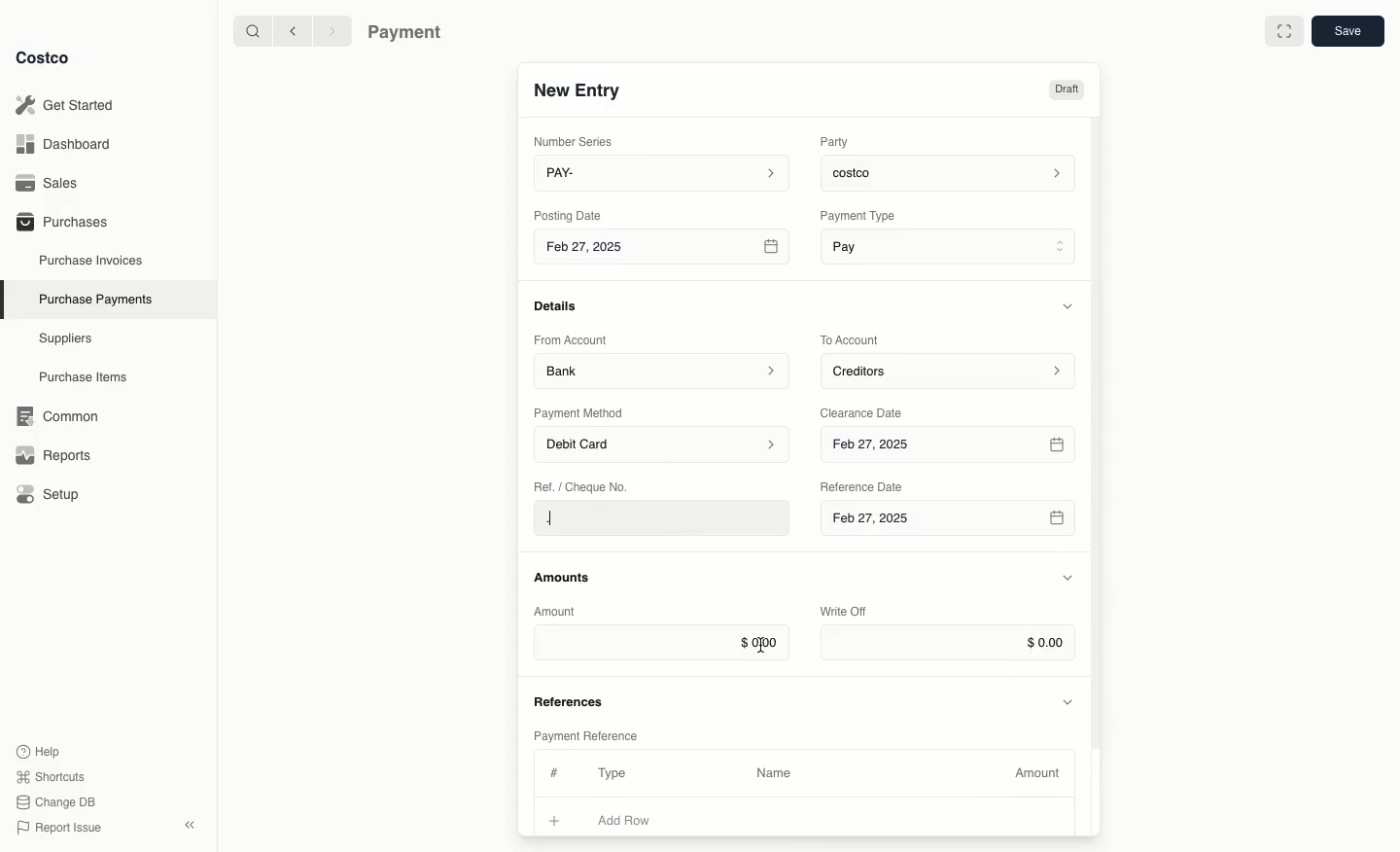  What do you see at coordinates (1070, 305) in the screenshot?
I see `Hide` at bounding box center [1070, 305].